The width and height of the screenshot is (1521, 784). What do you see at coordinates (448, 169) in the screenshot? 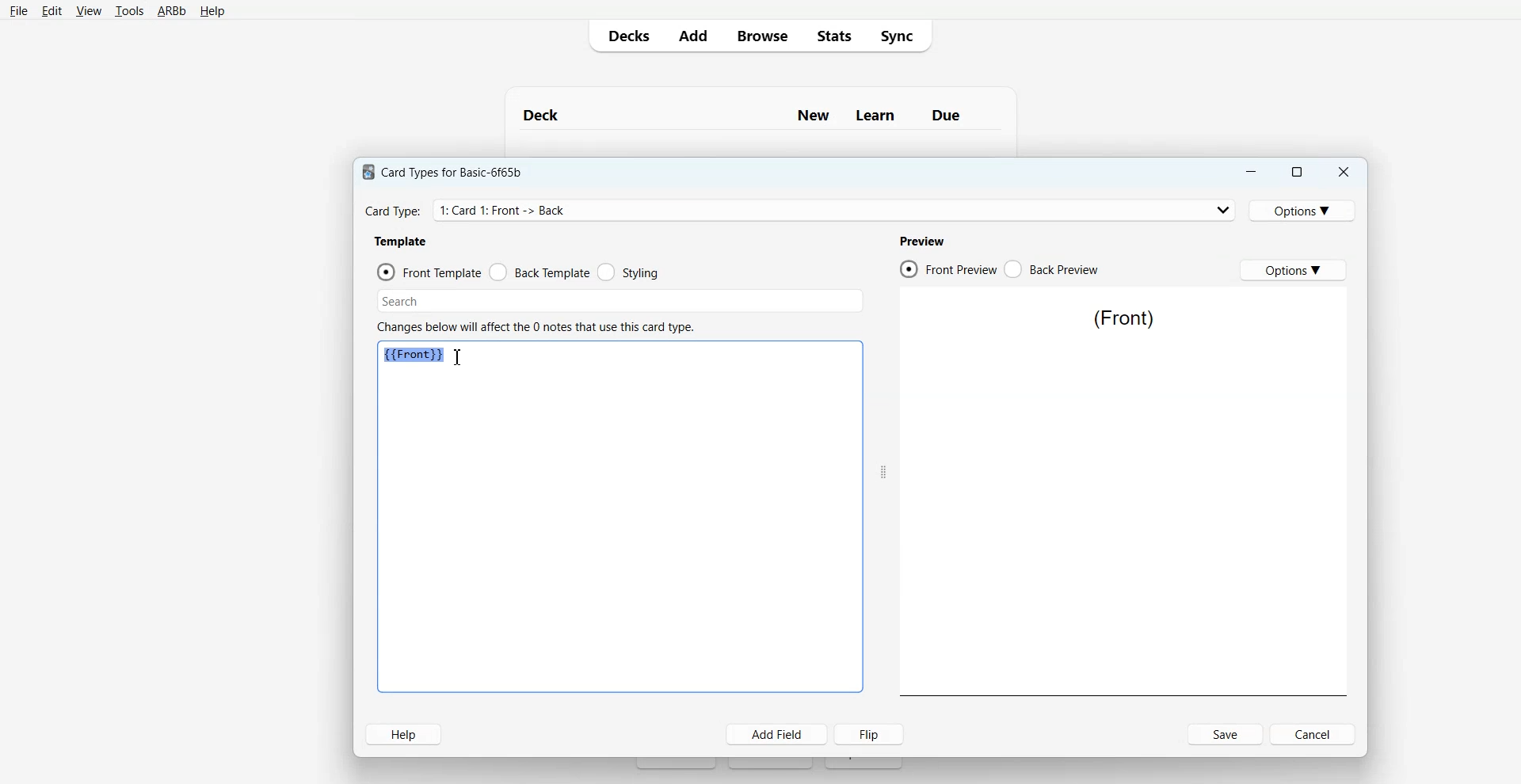
I see `Text 1` at bounding box center [448, 169].